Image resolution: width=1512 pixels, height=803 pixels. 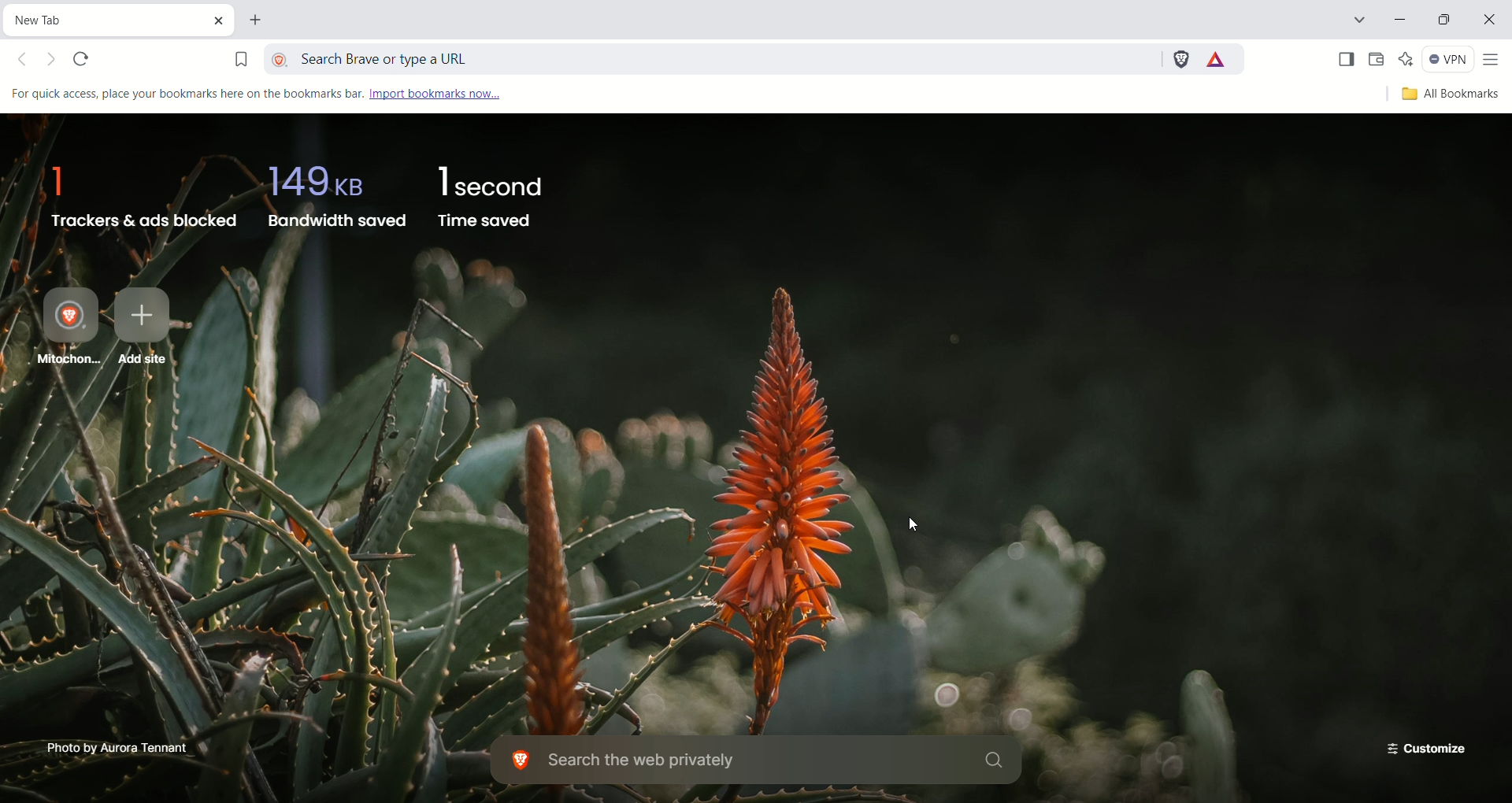 I want to click on minimize, so click(x=1403, y=21).